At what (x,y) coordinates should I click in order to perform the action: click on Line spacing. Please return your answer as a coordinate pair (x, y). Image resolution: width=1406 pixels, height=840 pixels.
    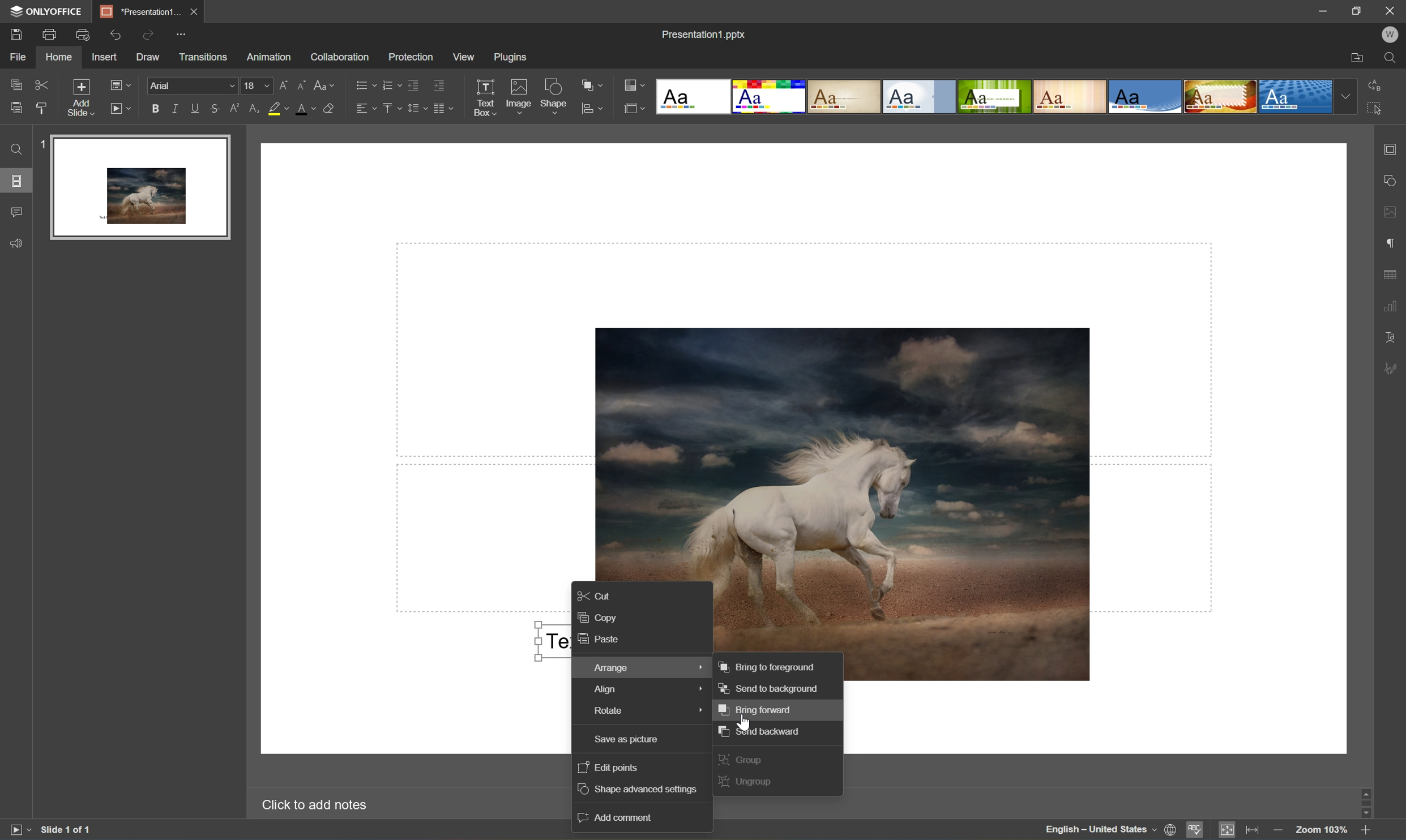
    Looking at the image, I should click on (415, 108).